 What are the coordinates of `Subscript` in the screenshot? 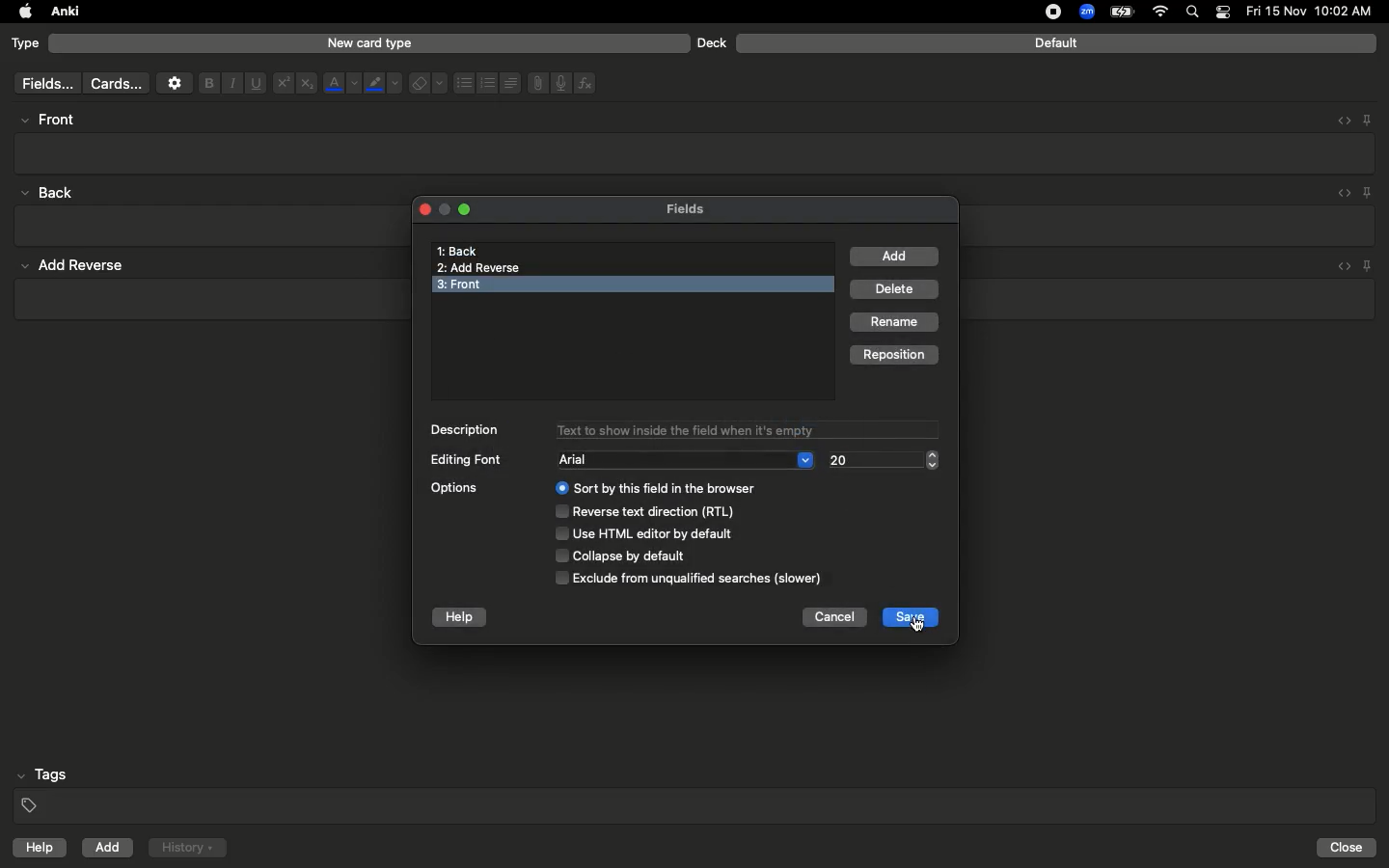 It's located at (307, 84).